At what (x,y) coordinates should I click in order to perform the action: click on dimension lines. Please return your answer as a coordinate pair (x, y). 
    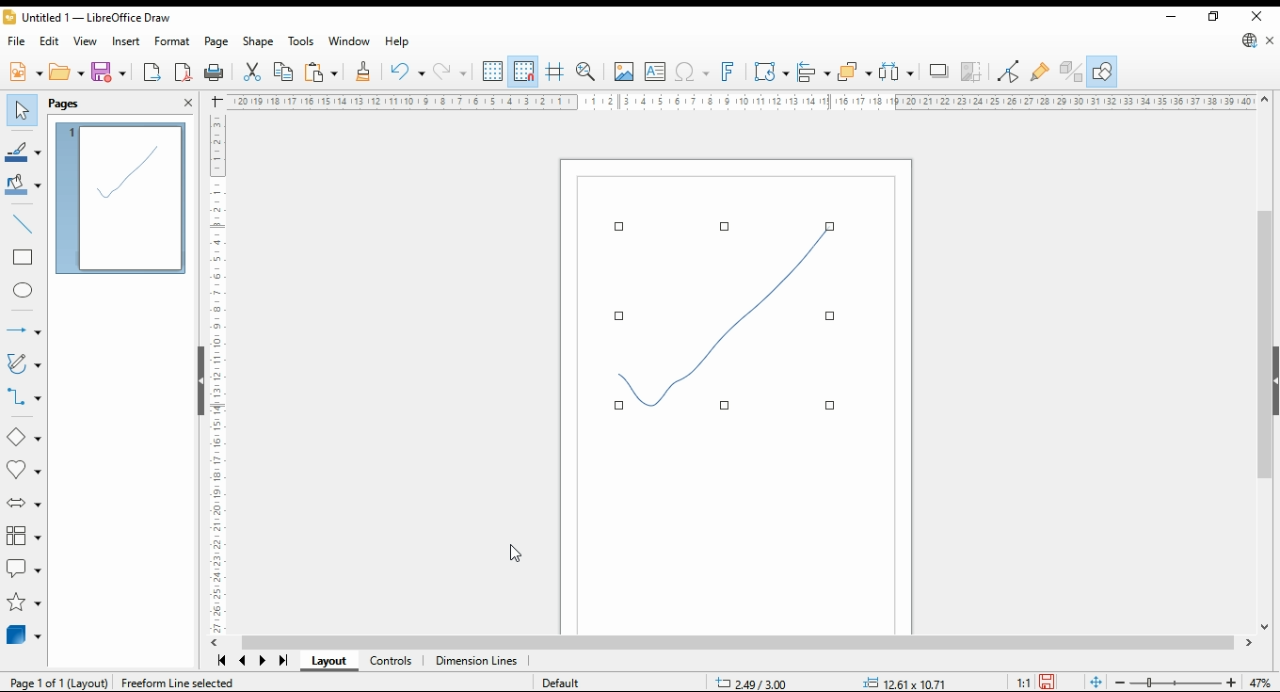
    Looking at the image, I should click on (476, 661).